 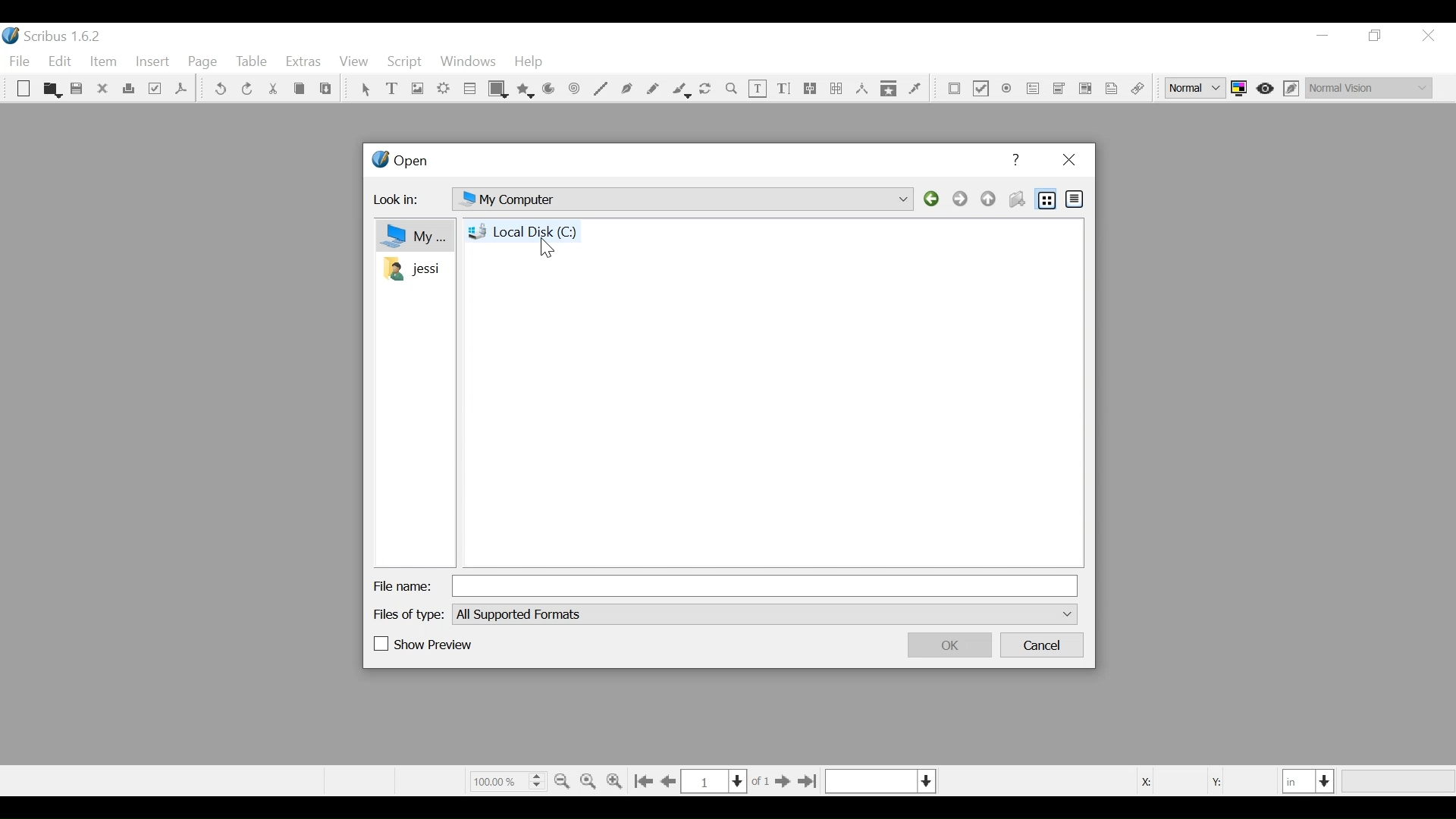 I want to click on Go to the previous page, so click(x=671, y=782).